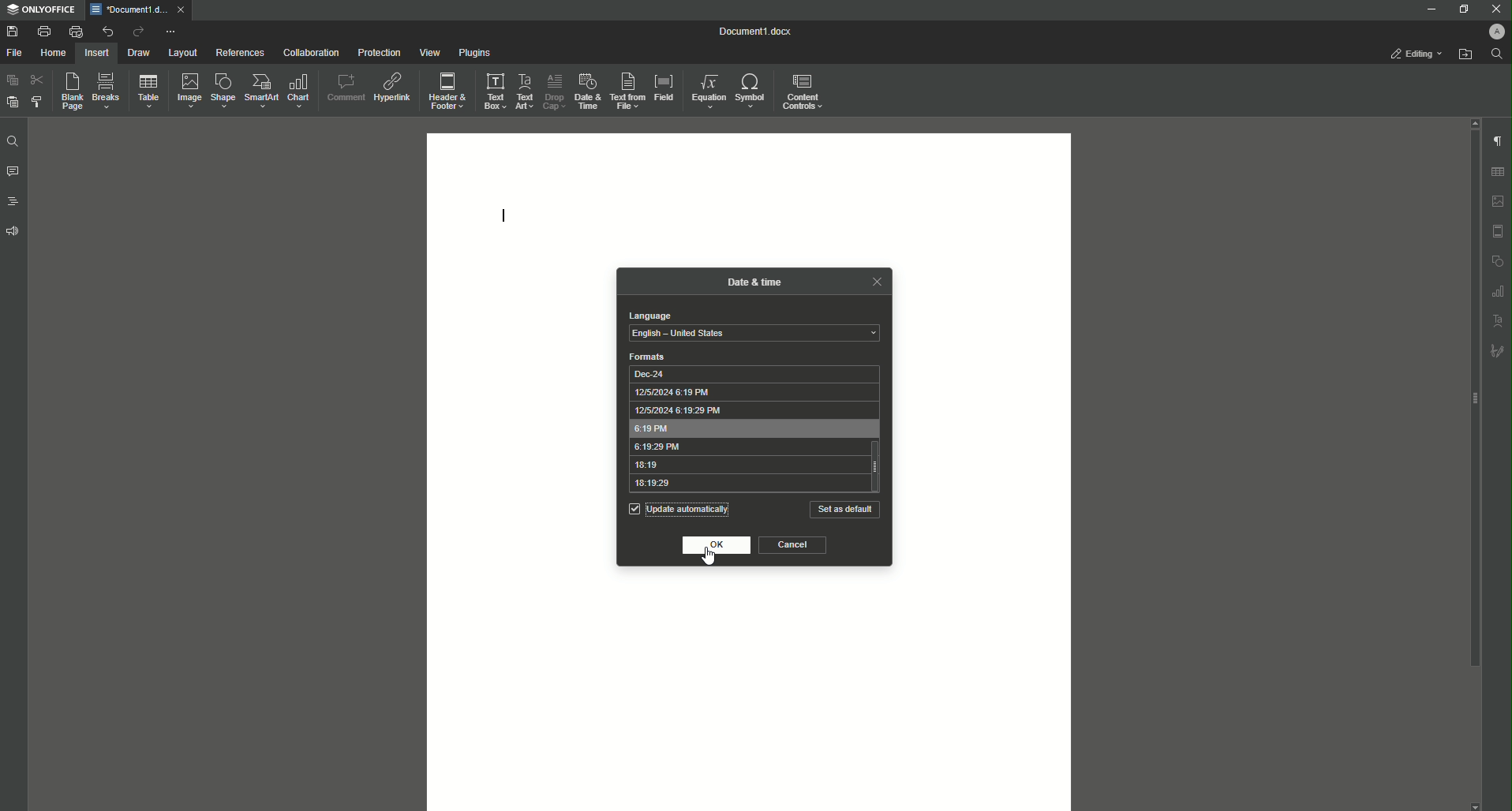 This screenshot has height=811, width=1512. Describe the element at coordinates (1498, 290) in the screenshot. I see `graph settings` at that location.